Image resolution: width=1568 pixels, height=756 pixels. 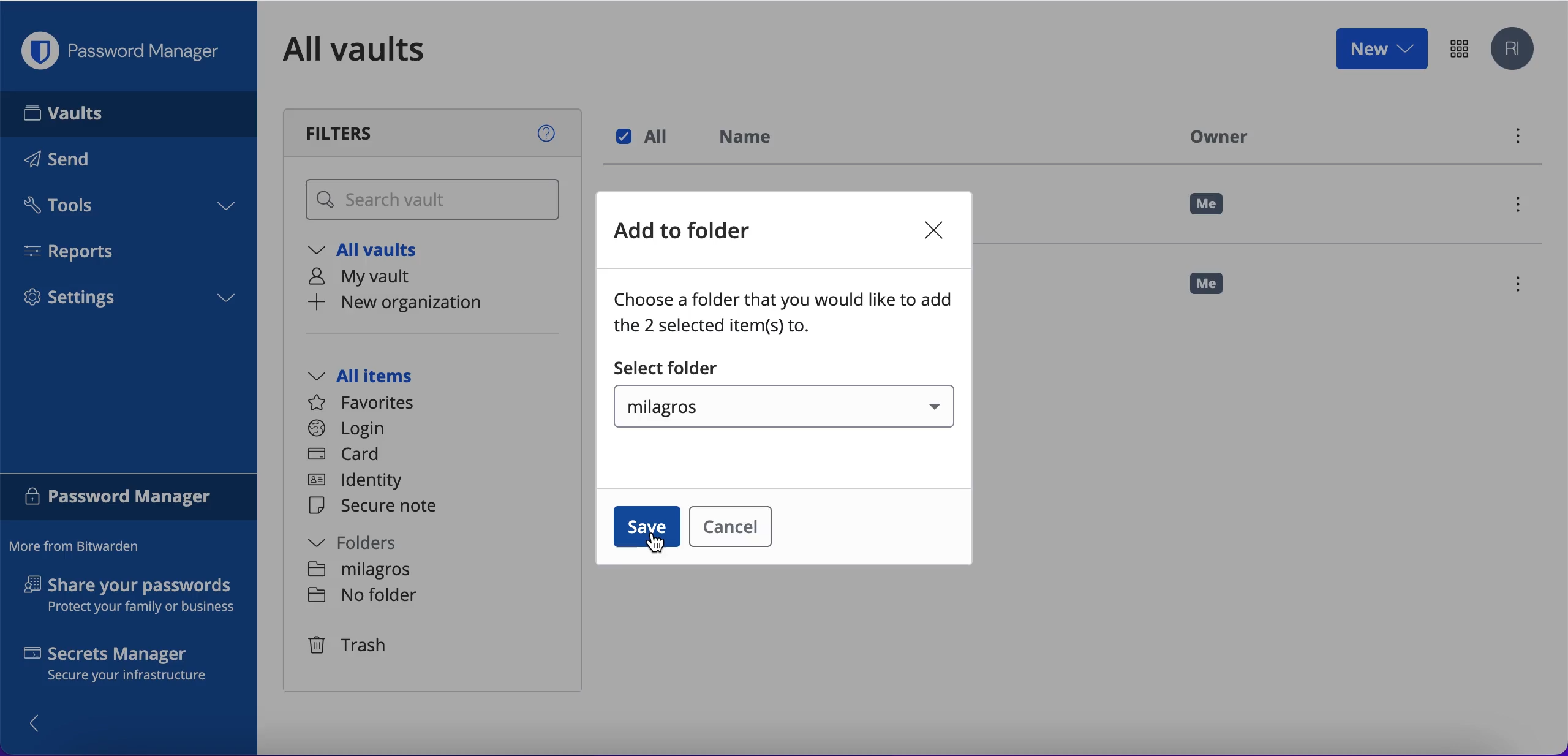 I want to click on folders, so click(x=366, y=543).